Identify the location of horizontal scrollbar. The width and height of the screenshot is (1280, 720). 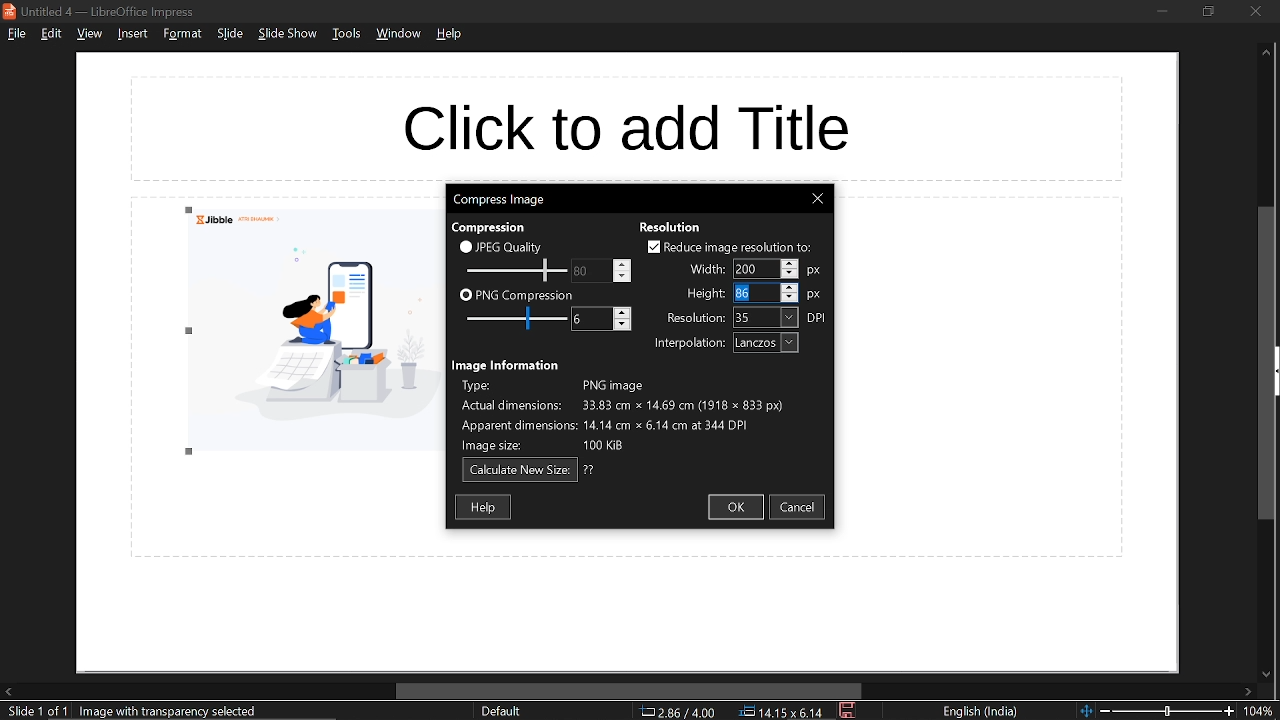
(630, 691).